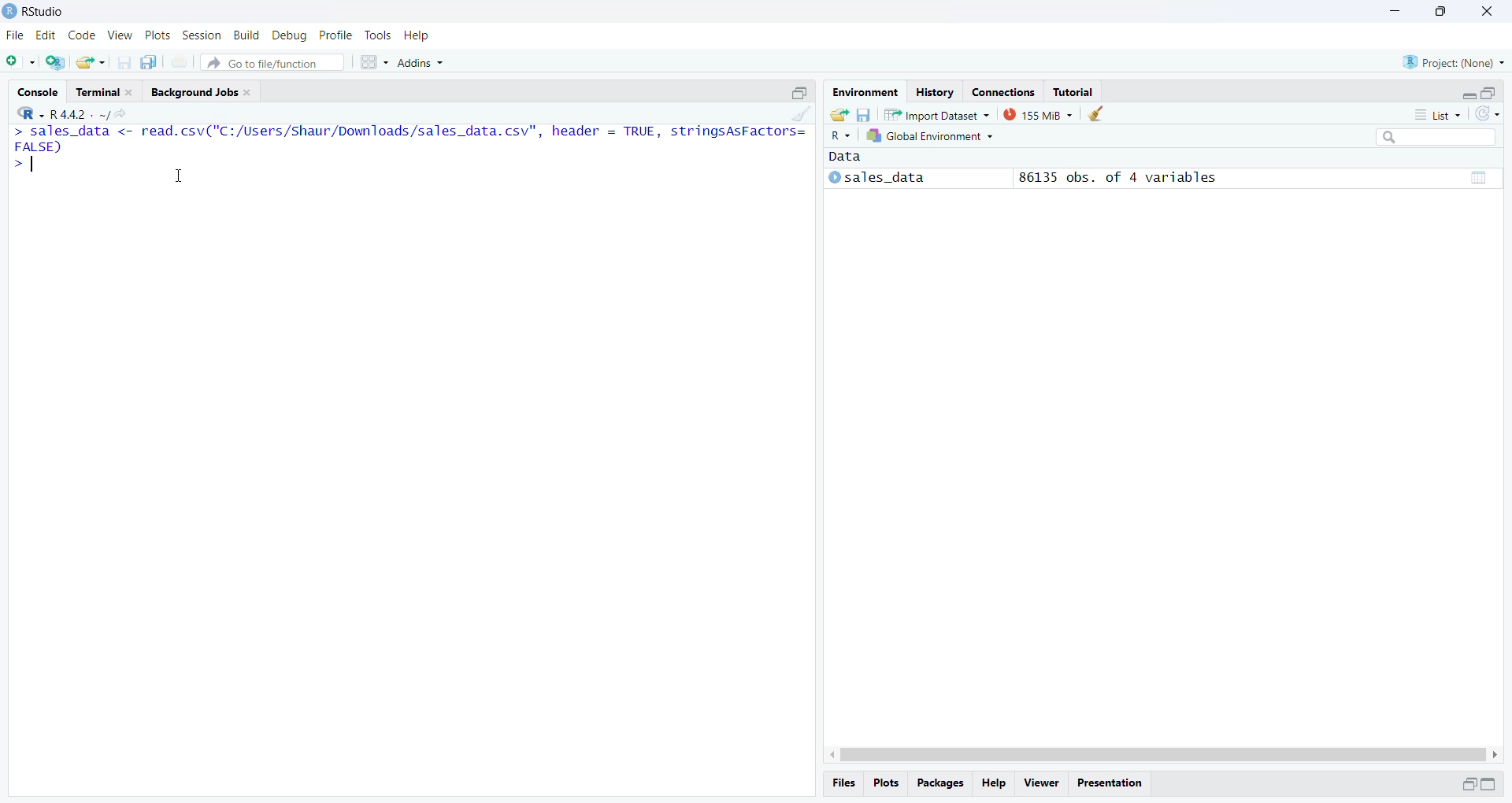  What do you see at coordinates (123, 64) in the screenshot?
I see `Save current document(CTRL + S)` at bounding box center [123, 64].